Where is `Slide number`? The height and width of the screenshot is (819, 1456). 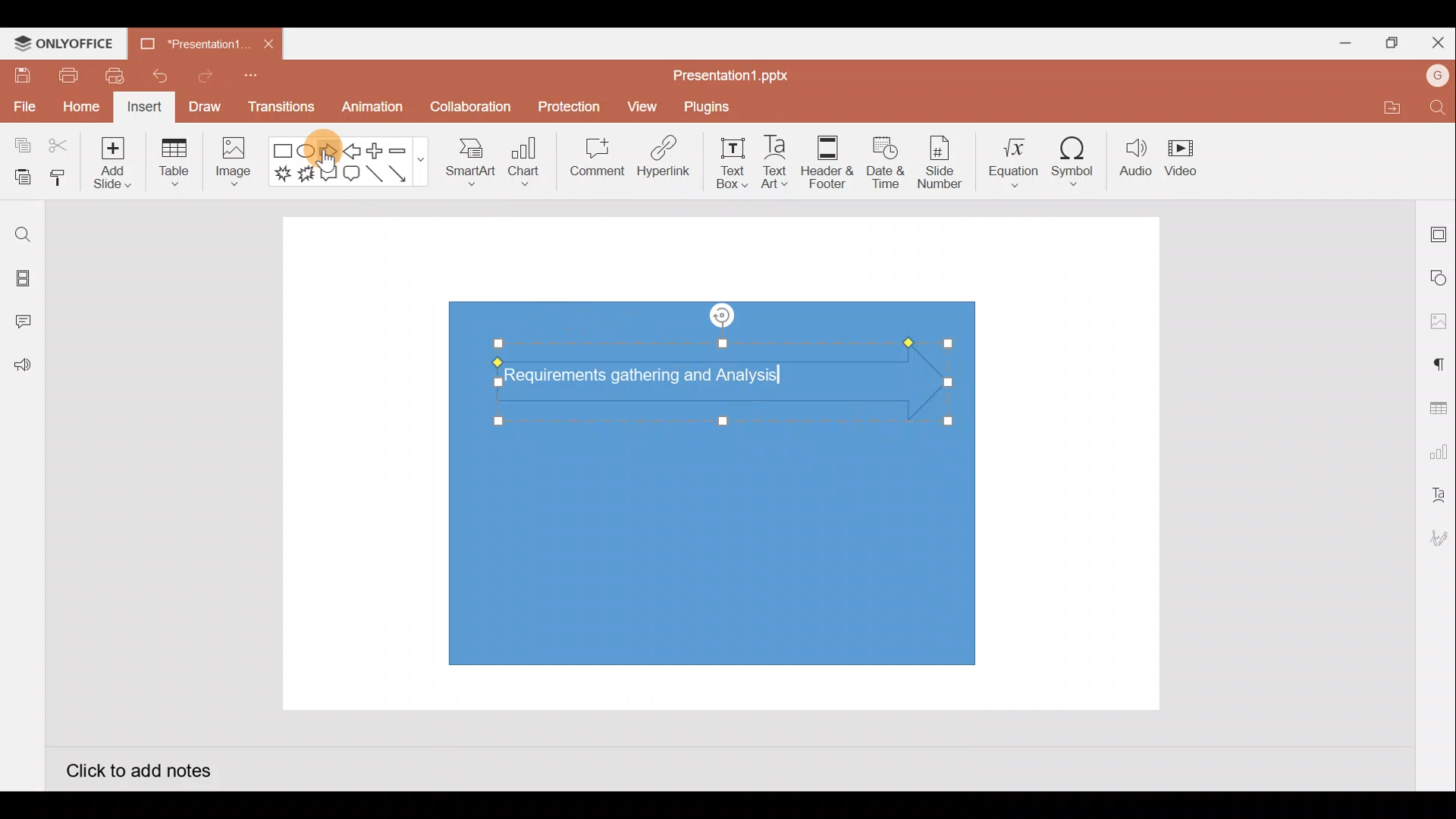 Slide number is located at coordinates (939, 162).